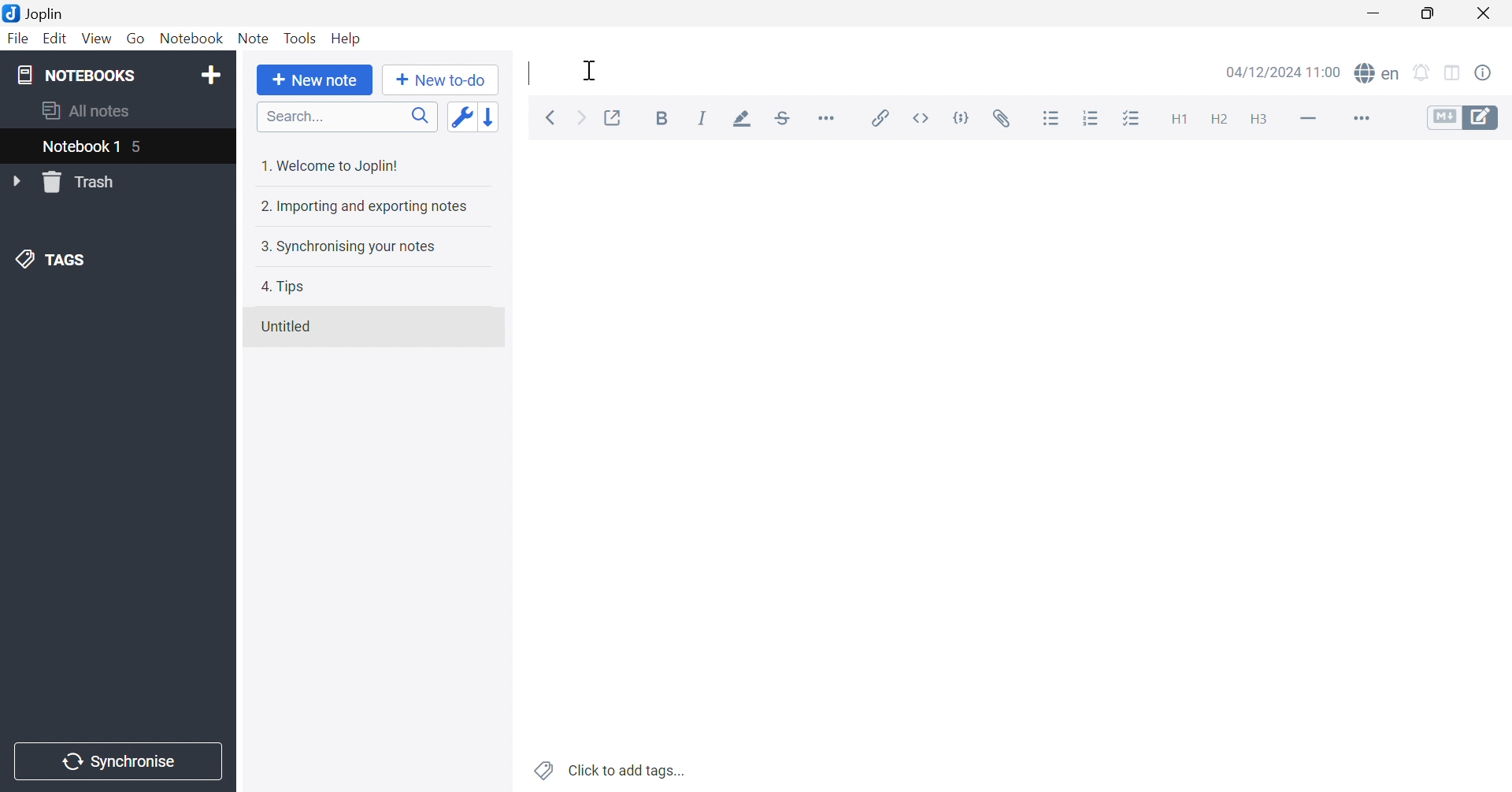 This screenshot has height=792, width=1512. What do you see at coordinates (705, 120) in the screenshot?
I see `Italic` at bounding box center [705, 120].